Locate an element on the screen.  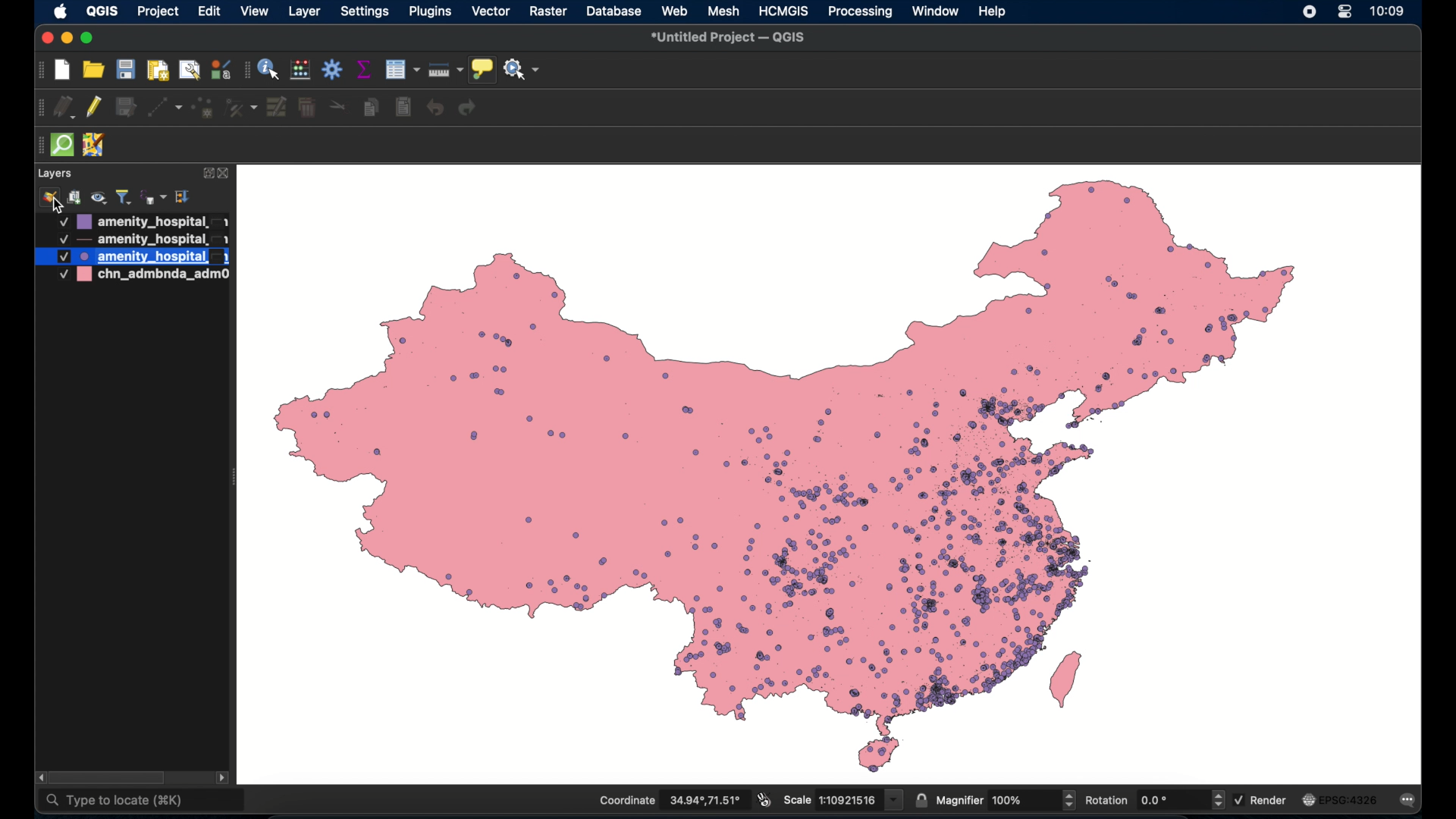
messages is located at coordinates (1408, 800).